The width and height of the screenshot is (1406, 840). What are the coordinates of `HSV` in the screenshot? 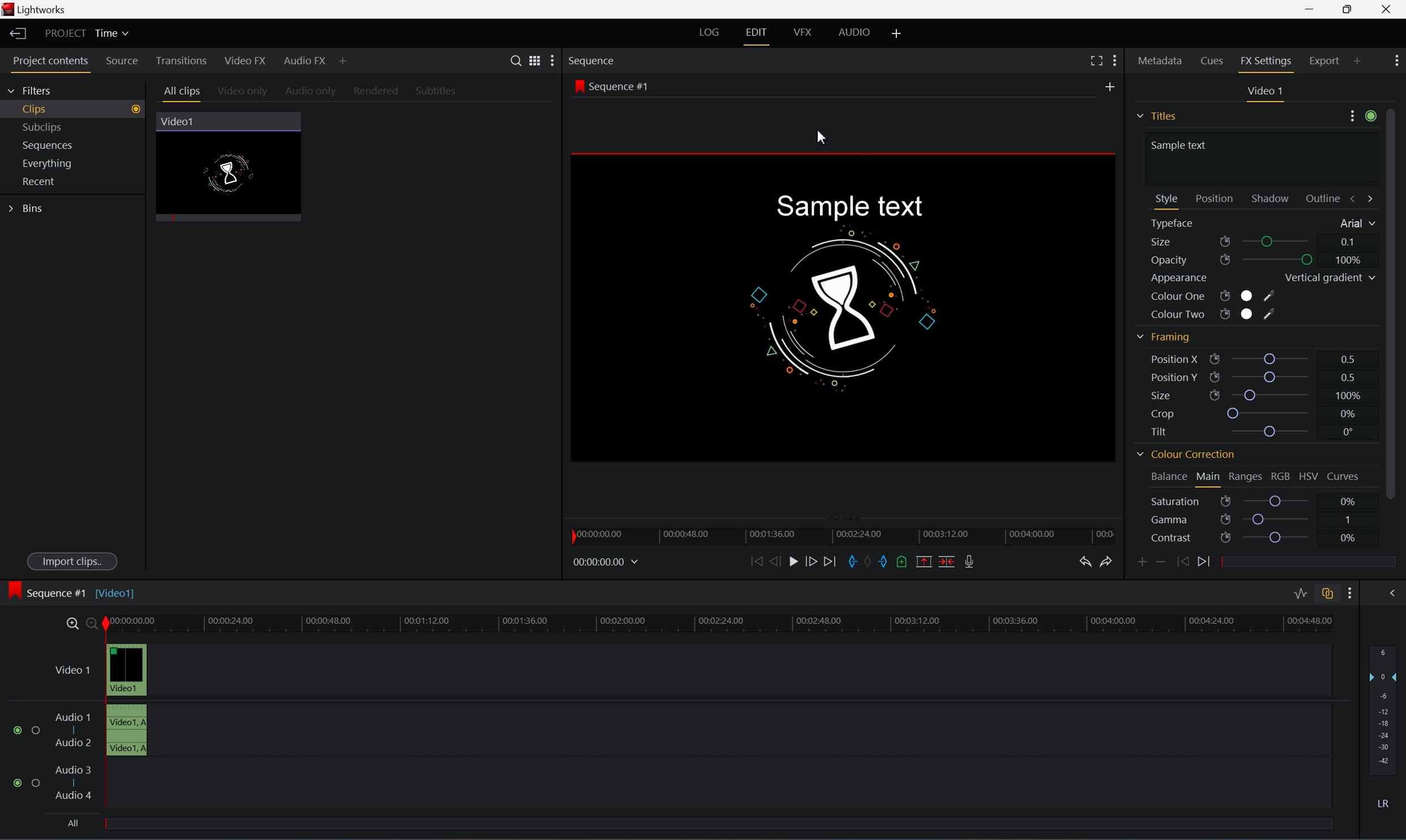 It's located at (1307, 477).